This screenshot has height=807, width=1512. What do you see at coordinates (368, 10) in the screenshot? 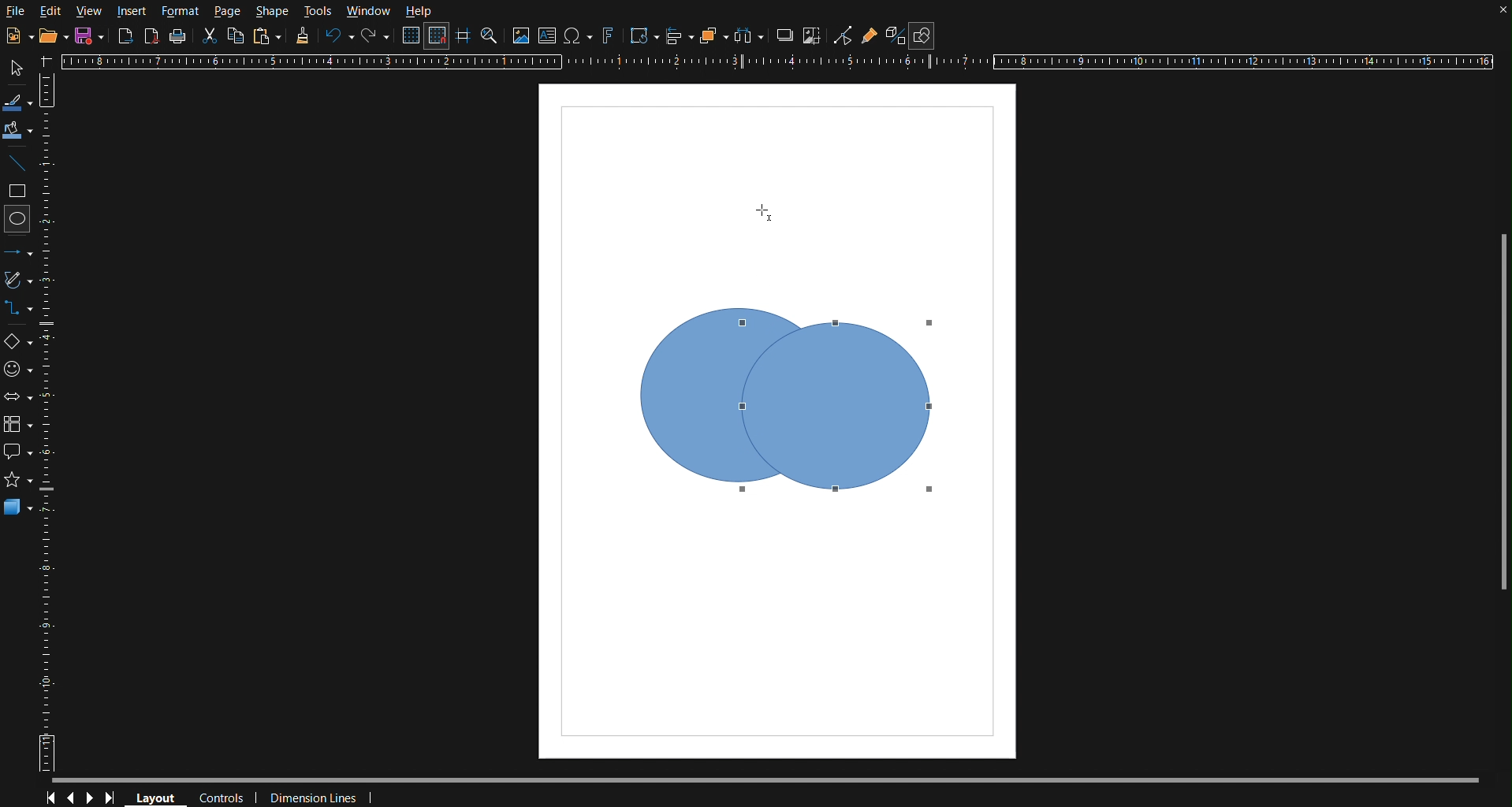
I see `Window` at bounding box center [368, 10].